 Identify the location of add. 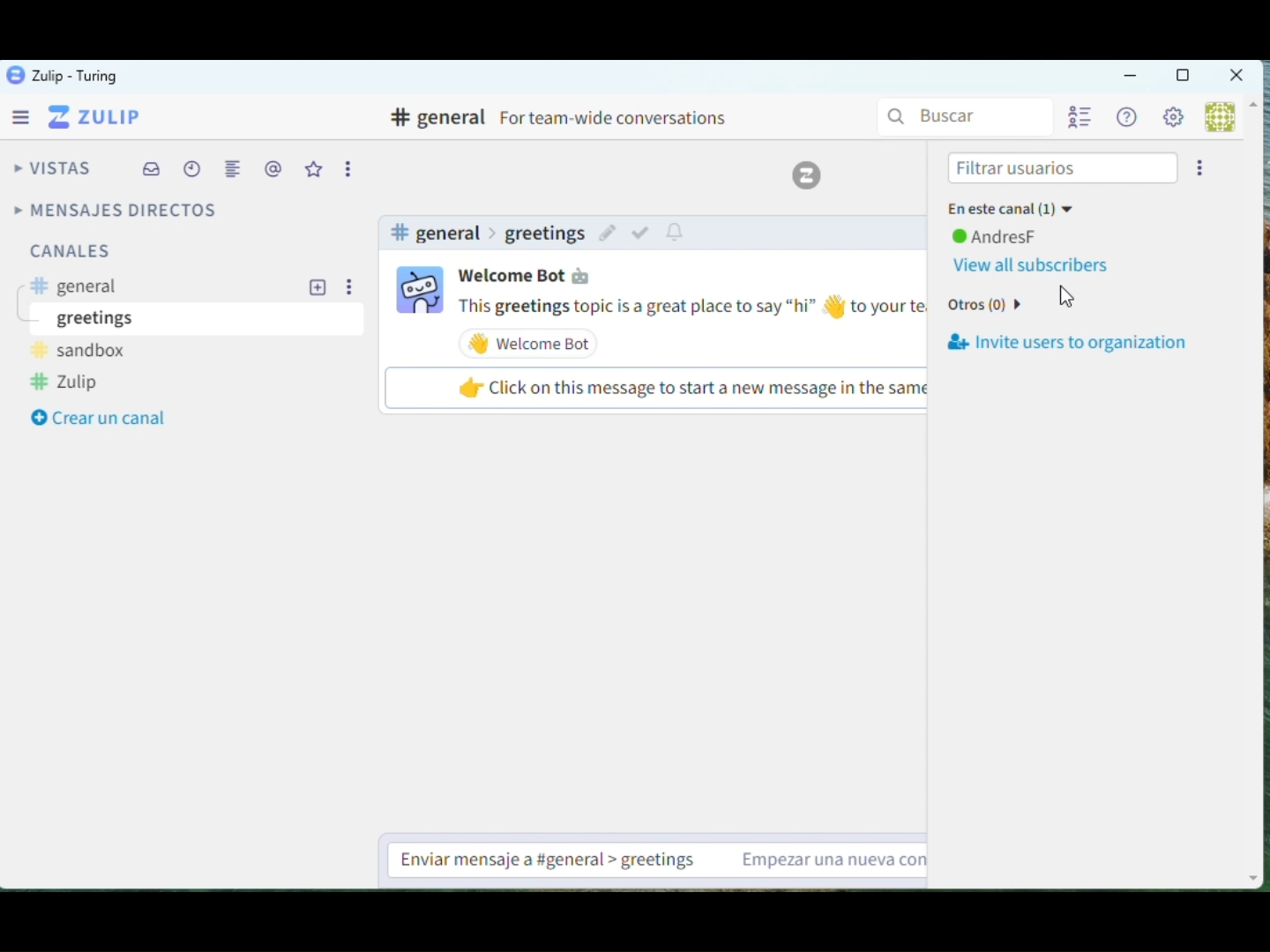
(318, 287).